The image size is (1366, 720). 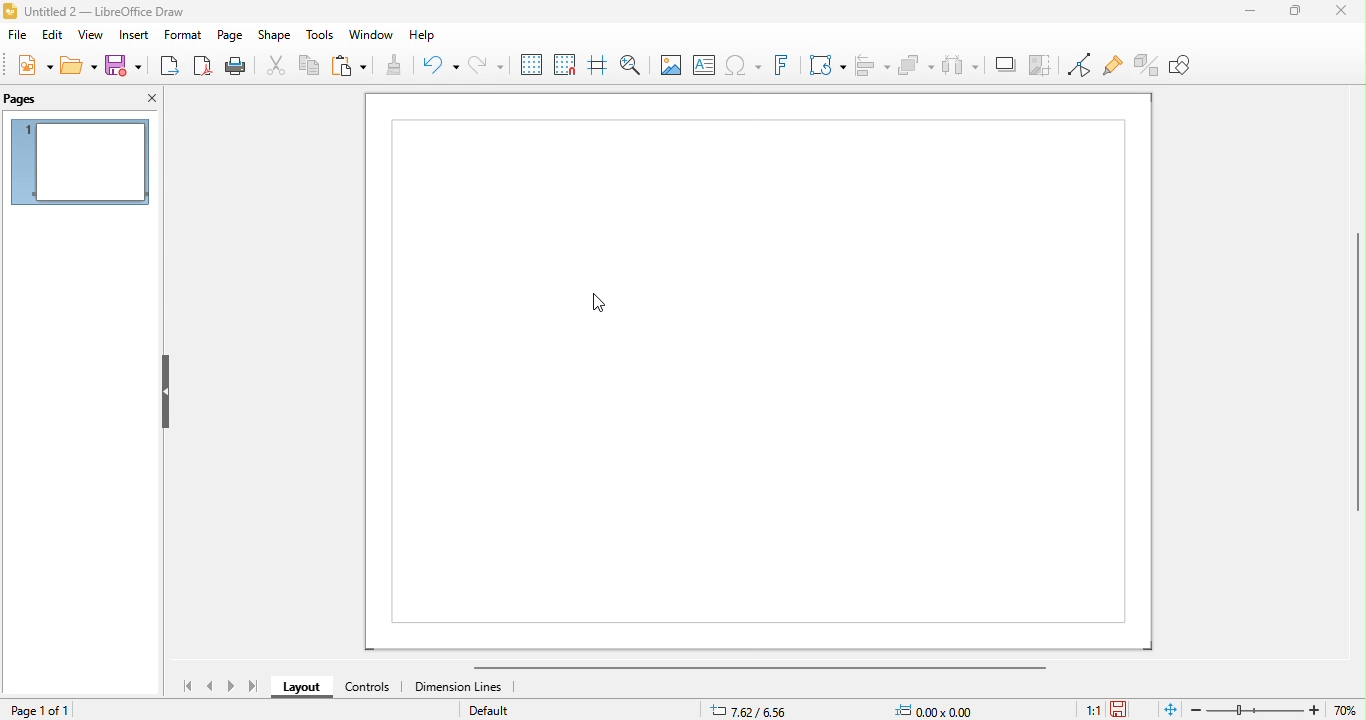 What do you see at coordinates (277, 68) in the screenshot?
I see `cut` at bounding box center [277, 68].